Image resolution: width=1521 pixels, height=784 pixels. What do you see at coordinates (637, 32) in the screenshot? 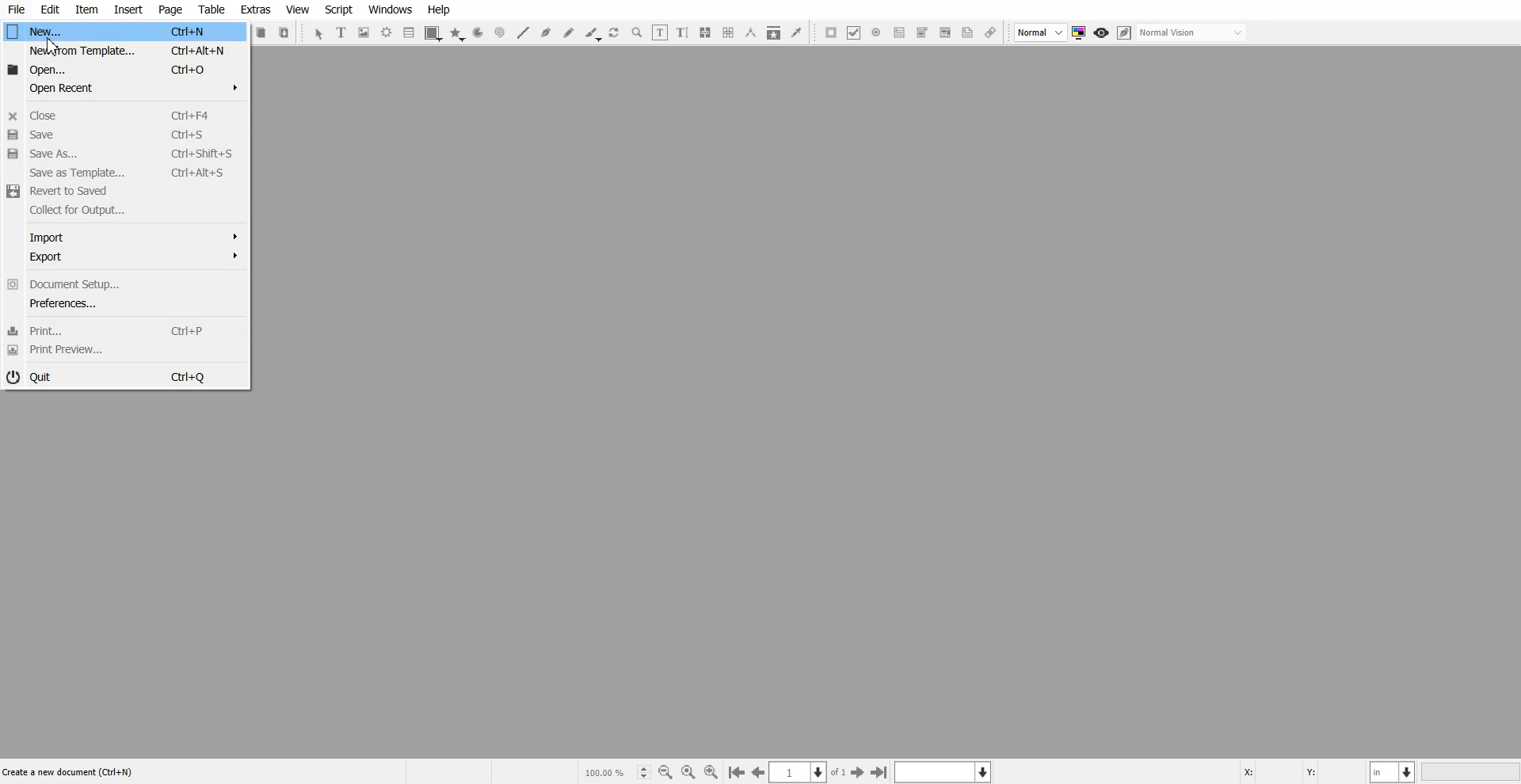
I see `Zoom in or Out` at bounding box center [637, 32].